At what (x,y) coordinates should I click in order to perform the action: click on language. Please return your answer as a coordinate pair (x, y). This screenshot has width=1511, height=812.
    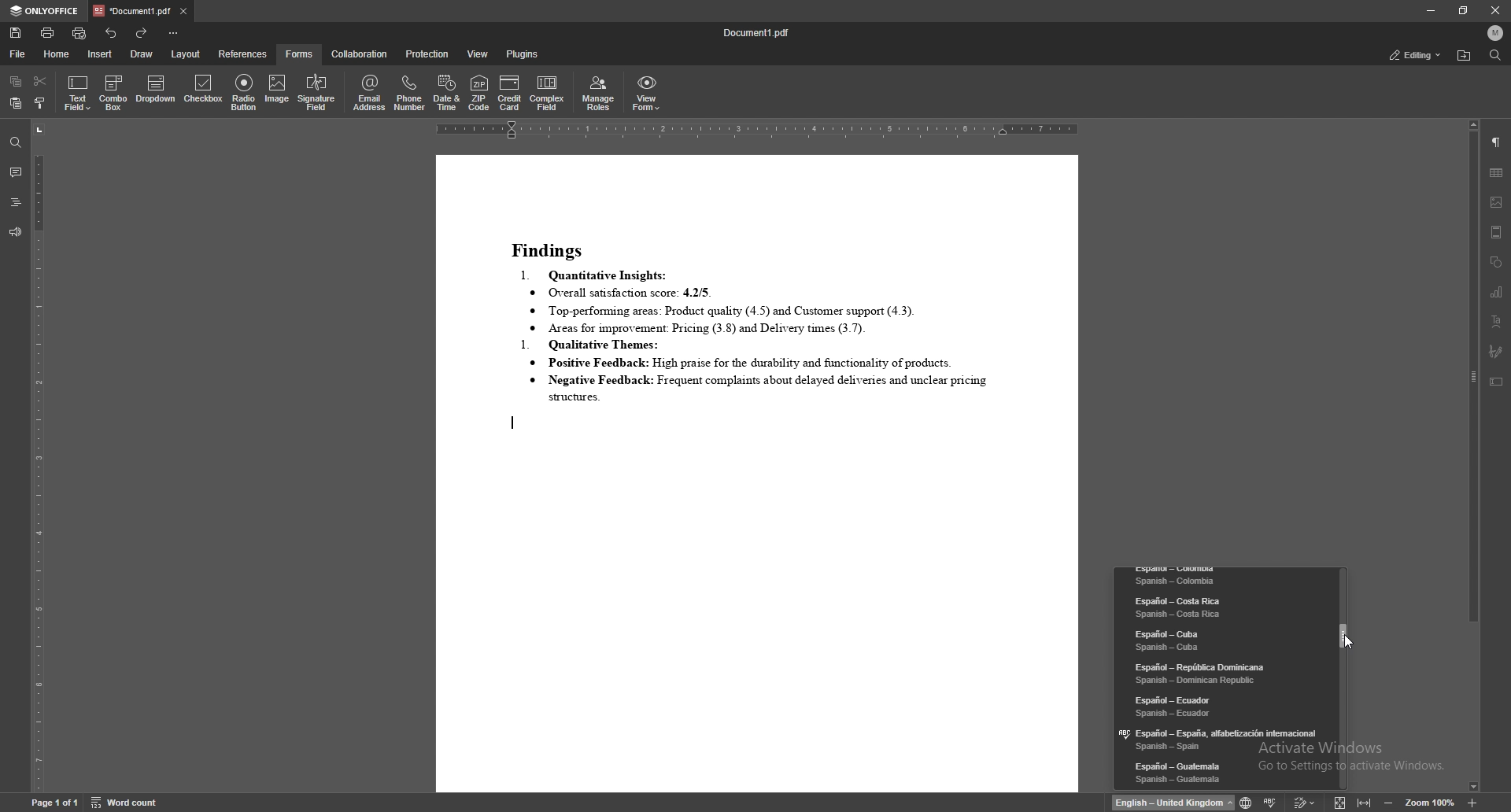
    Looking at the image, I should click on (1221, 705).